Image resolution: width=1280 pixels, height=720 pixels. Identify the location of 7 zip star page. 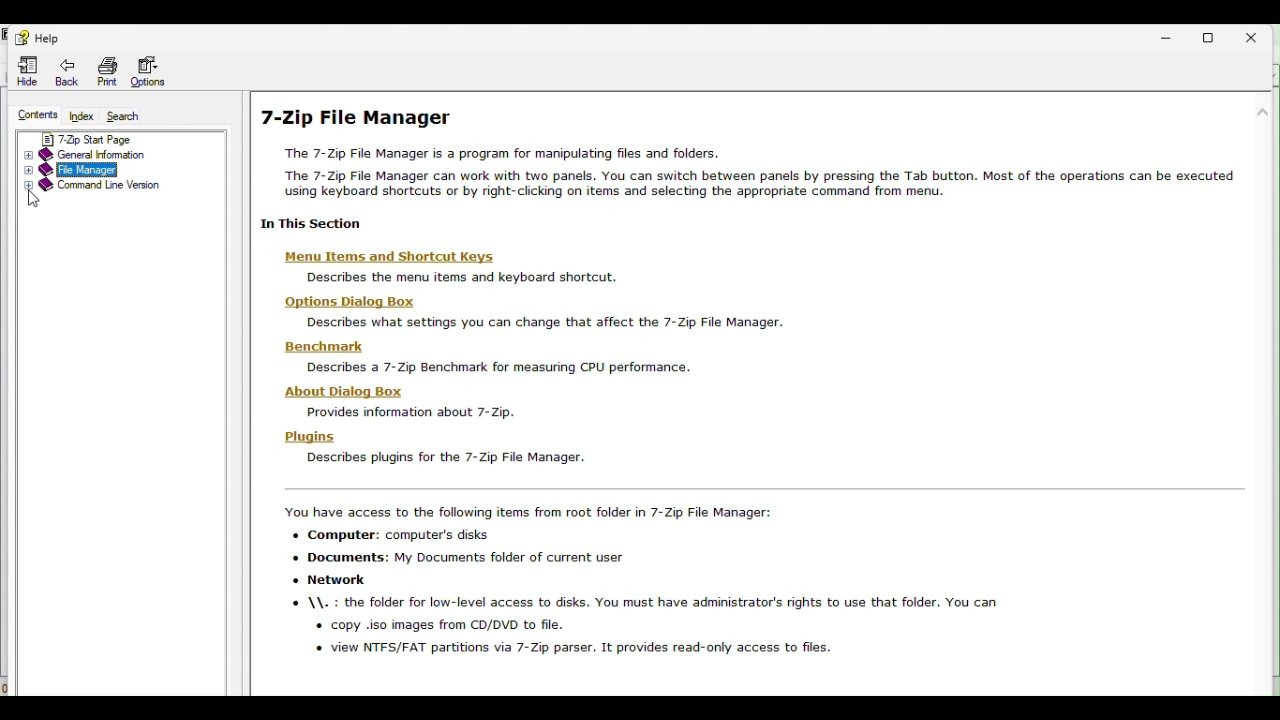
(122, 138).